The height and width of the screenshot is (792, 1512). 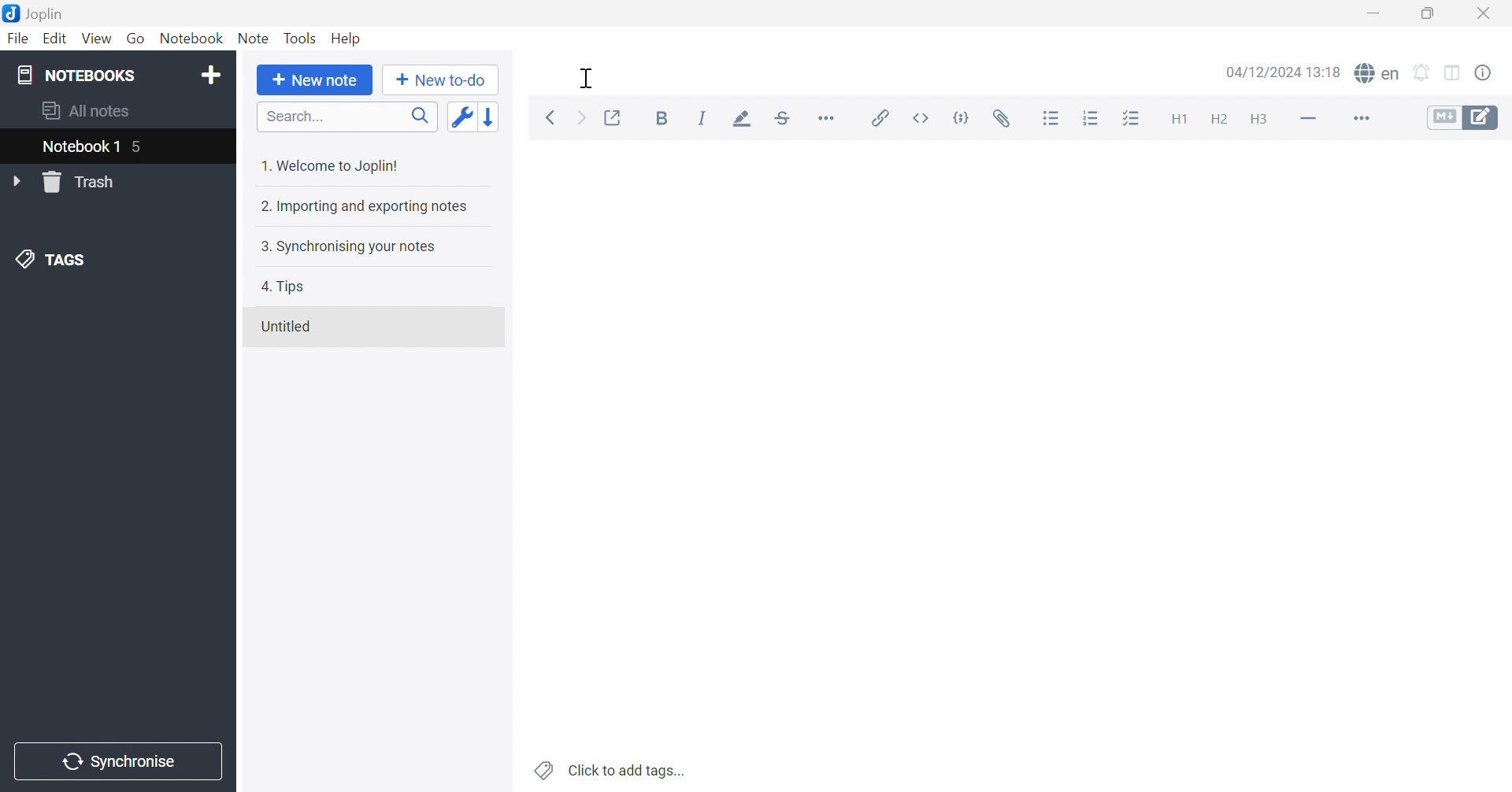 What do you see at coordinates (1258, 120) in the screenshot?
I see `Heading 3` at bounding box center [1258, 120].